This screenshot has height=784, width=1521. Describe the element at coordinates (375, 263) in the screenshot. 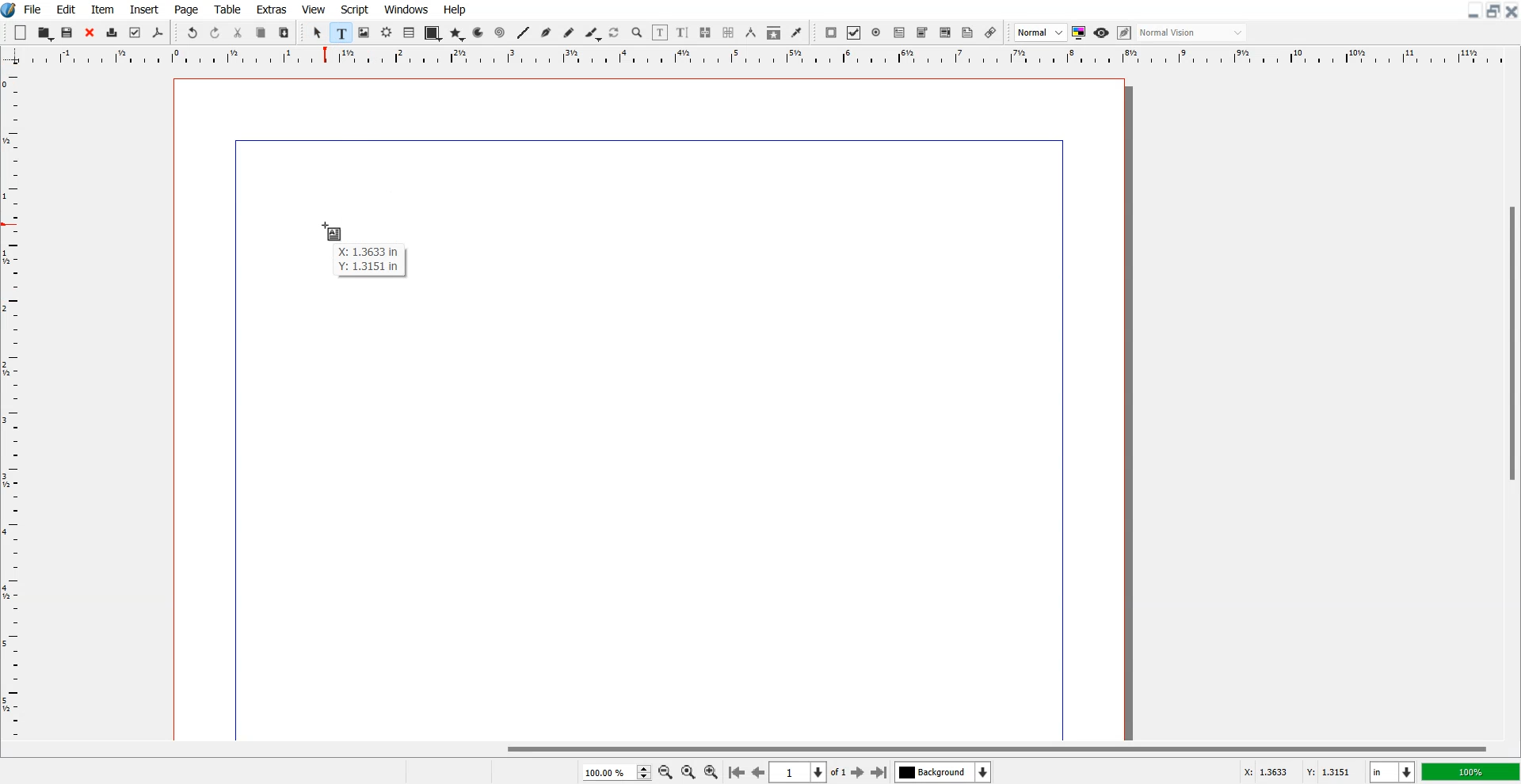

I see `X: 1.3633 in  Y: 1.3151 in` at that location.